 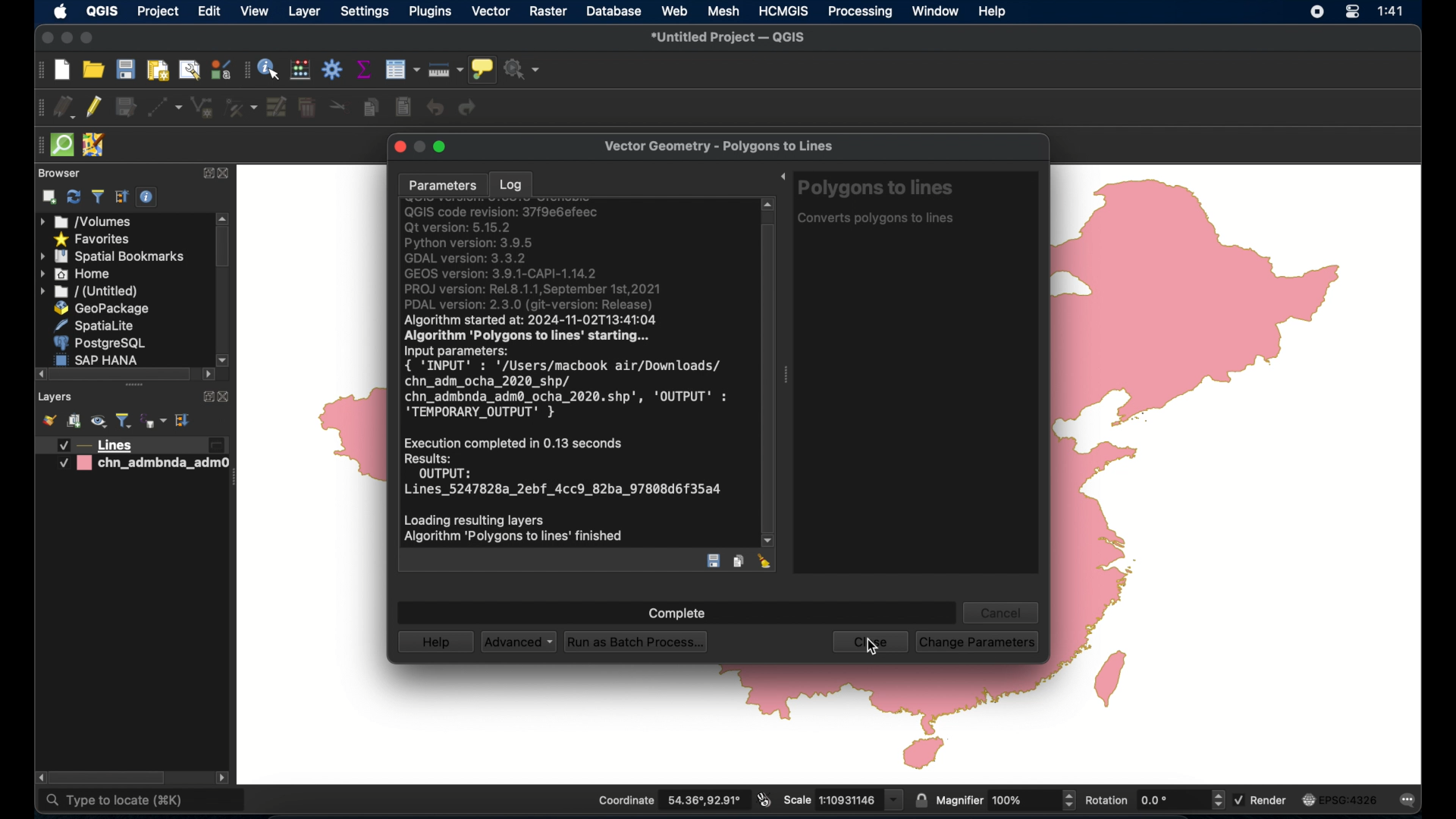 What do you see at coordinates (86, 221) in the screenshot?
I see `volumes` at bounding box center [86, 221].